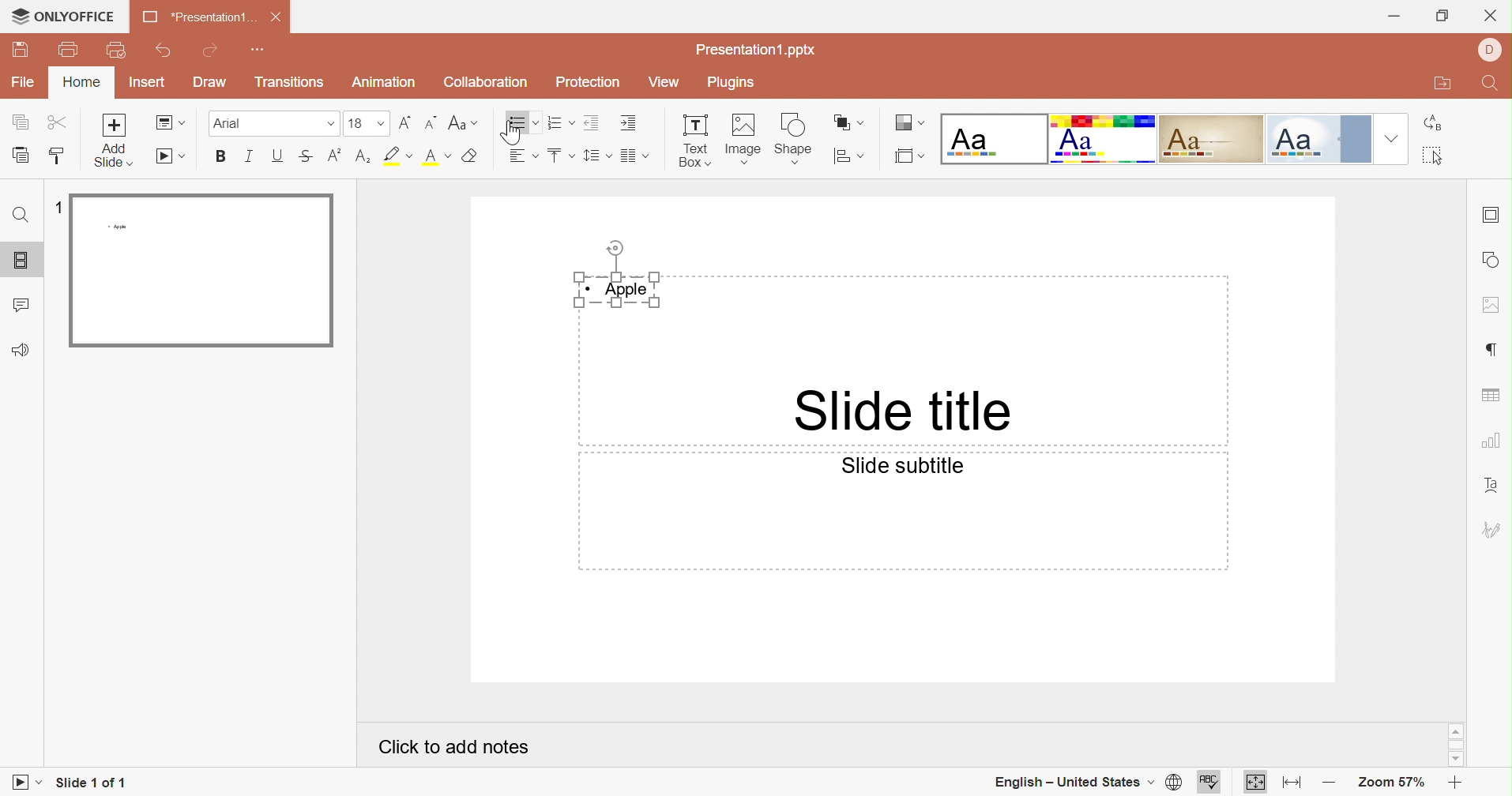  Describe the element at coordinates (18, 217) in the screenshot. I see `Find` at that location.